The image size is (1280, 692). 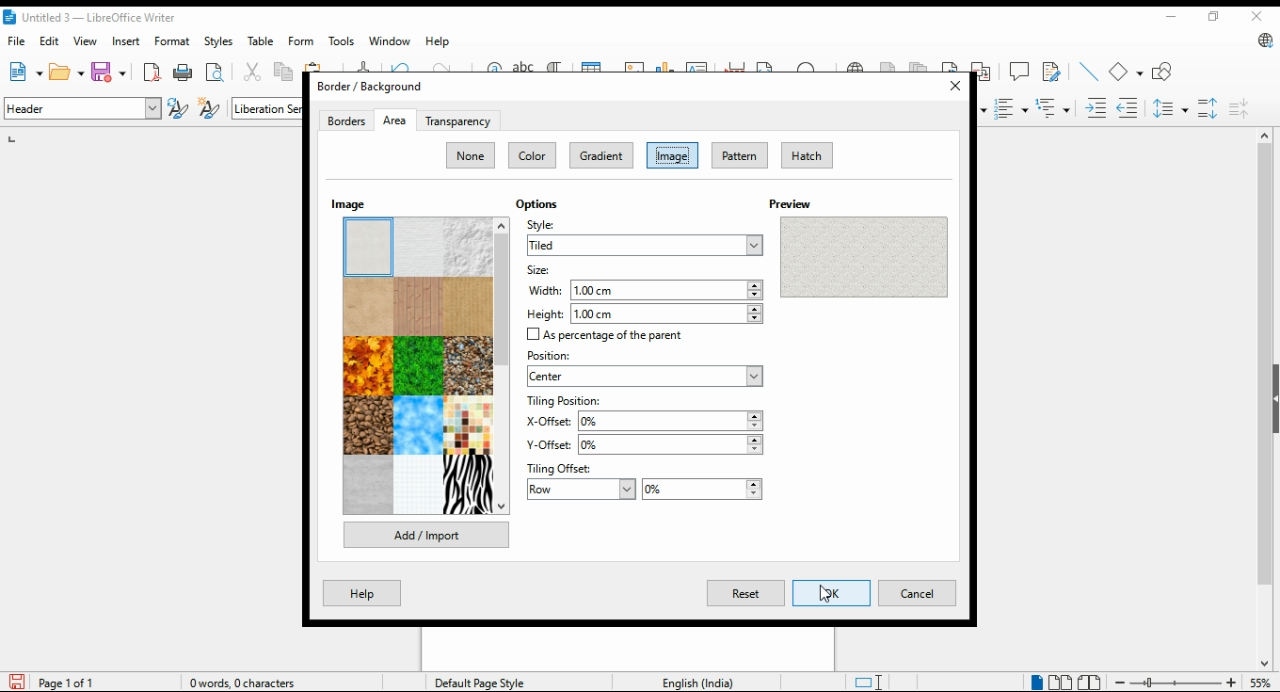 What do you see at coordinates (1256, 17) in the screenshot?
I see `close window` at bounding box center [1256, 17].